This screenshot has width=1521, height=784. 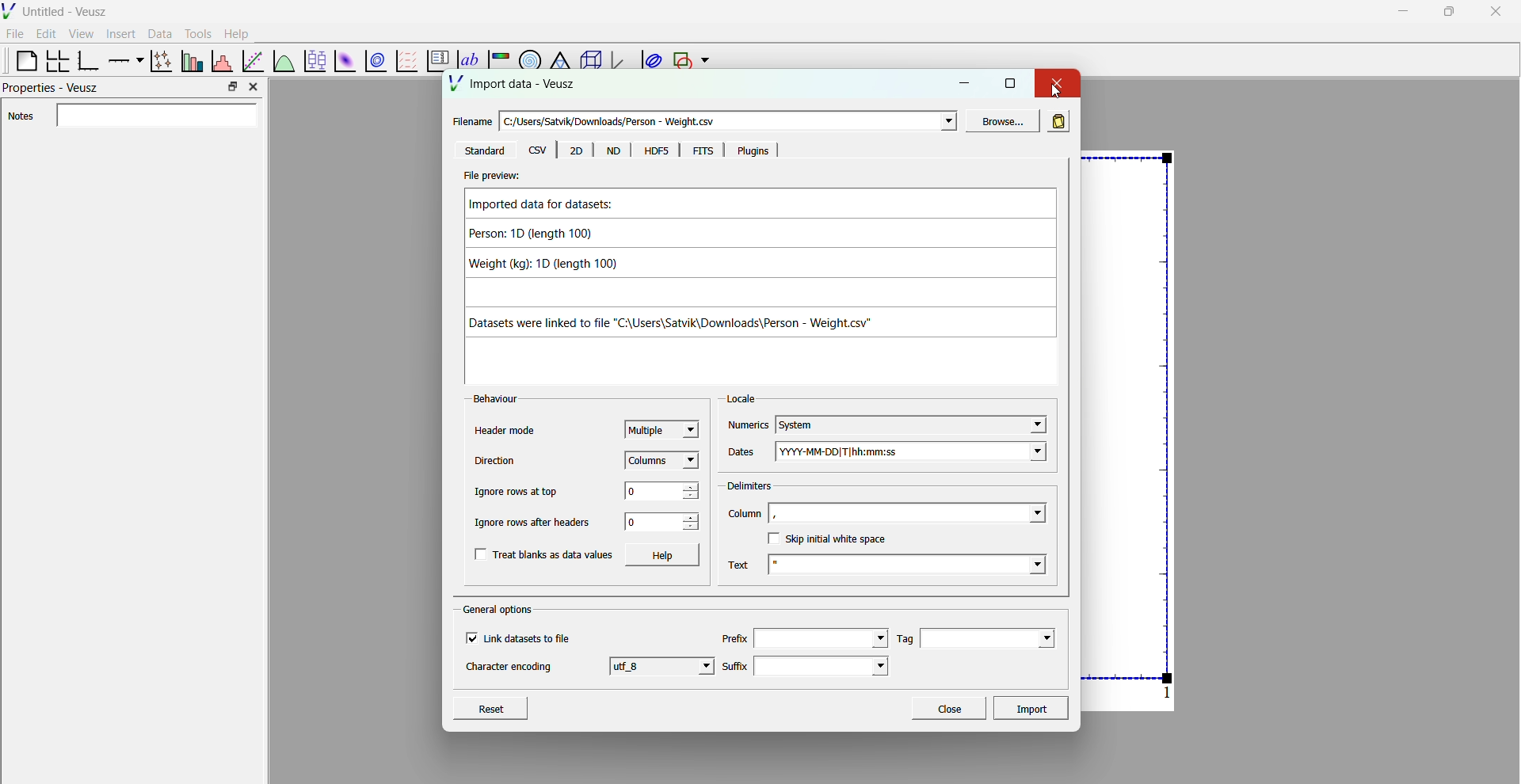 What do you see at coordinates (1447, 10) in the screenshot?
I see `maximize` at bounding box center [1447, 10].